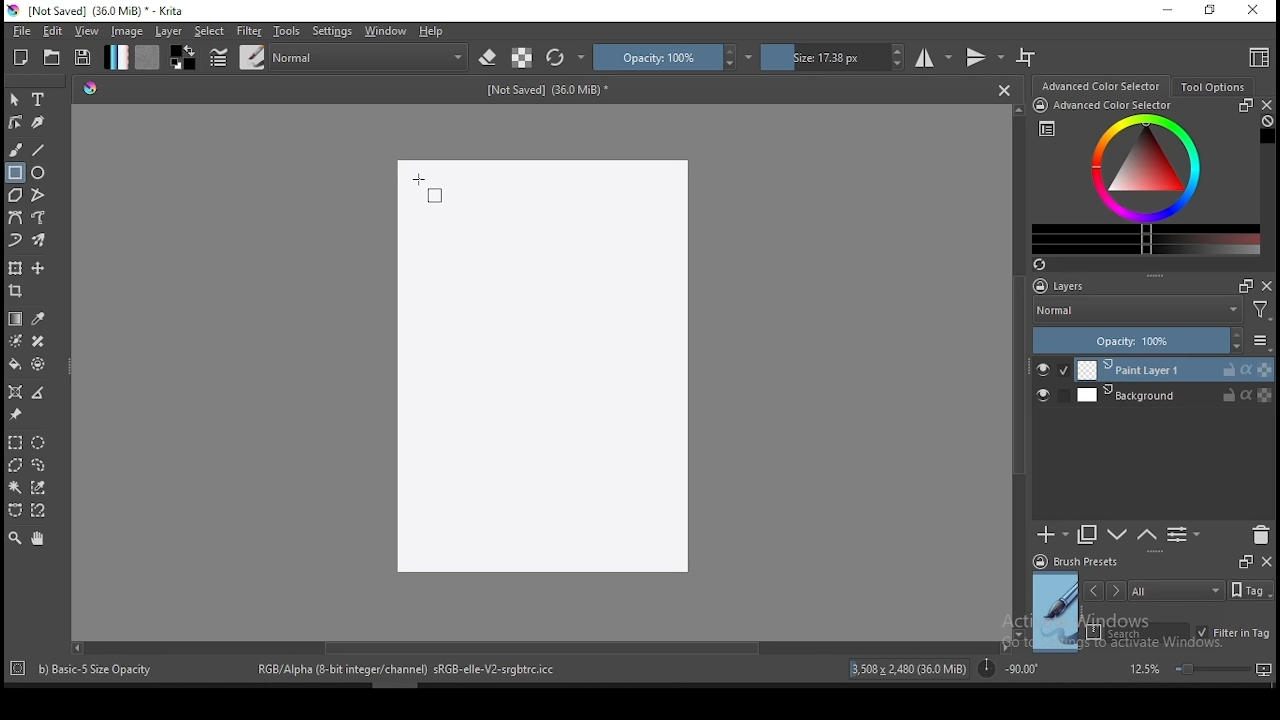 The height and width of the screenshot is (720, 1280). Describe the element at coordinates (18, 293) in the screenshot. I see `crop tool` at that location.